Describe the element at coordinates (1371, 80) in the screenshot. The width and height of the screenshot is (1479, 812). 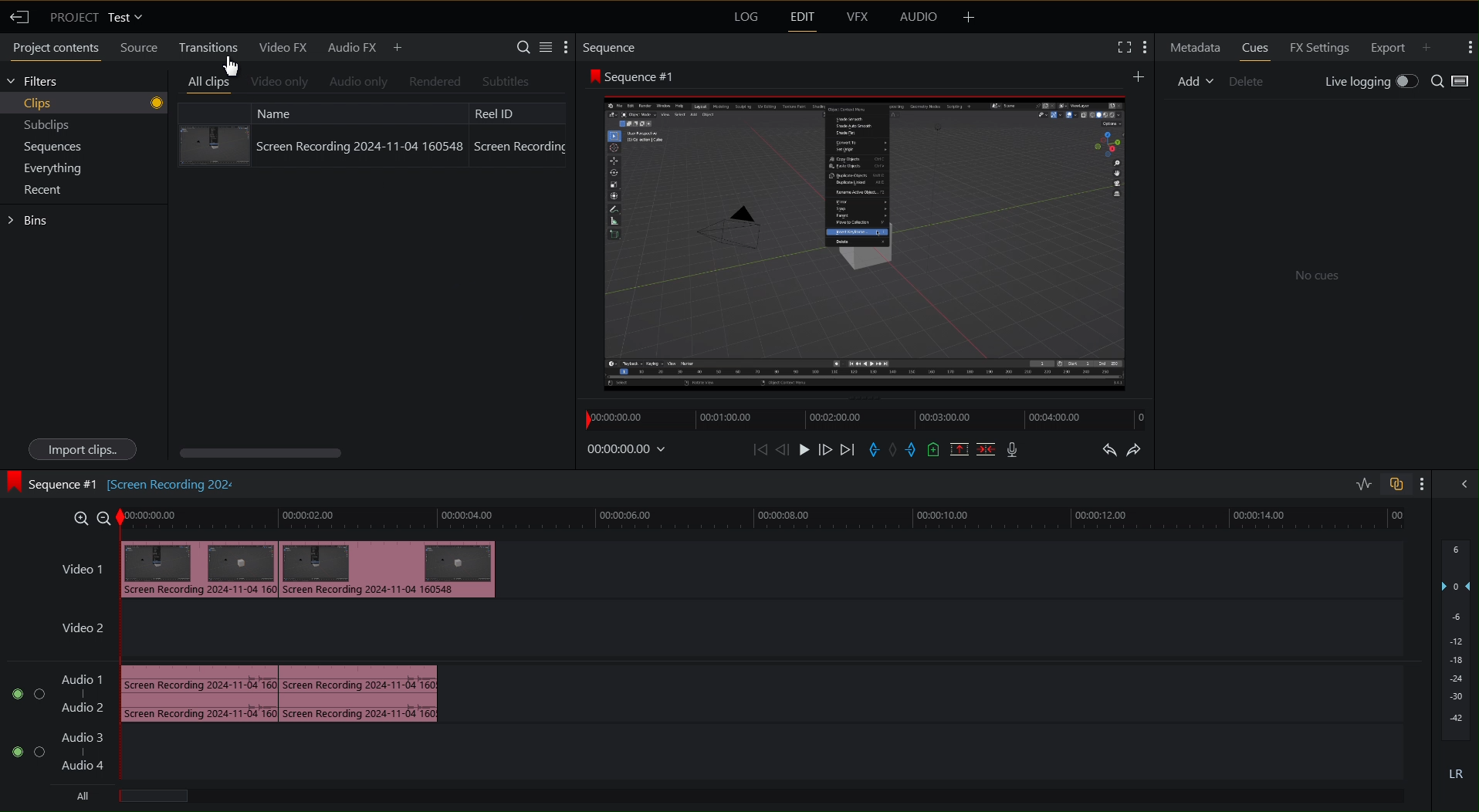
I see `Live Logging` at that location.